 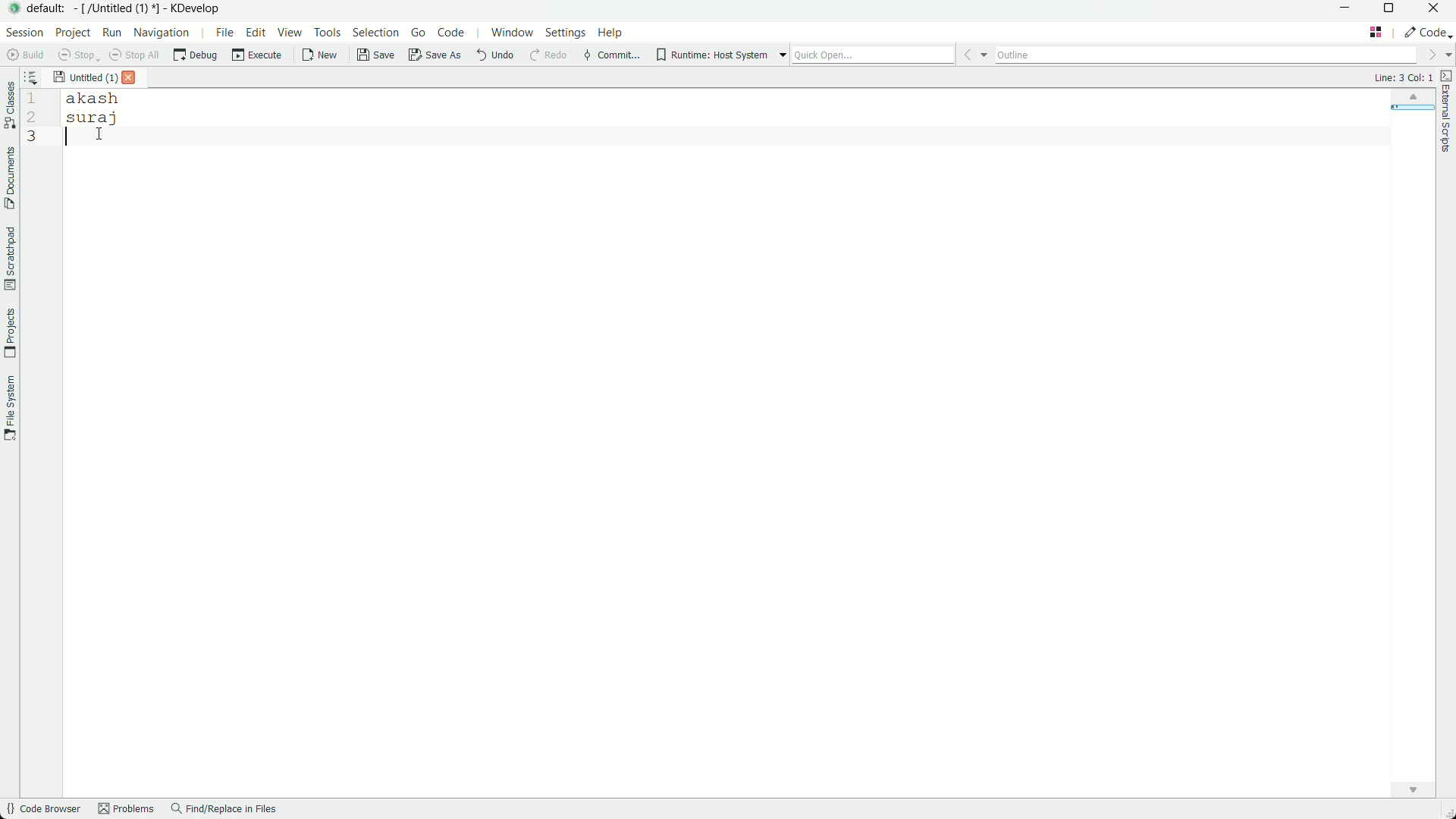 I want to click on sort opened documents, so click(x=37, y=77).